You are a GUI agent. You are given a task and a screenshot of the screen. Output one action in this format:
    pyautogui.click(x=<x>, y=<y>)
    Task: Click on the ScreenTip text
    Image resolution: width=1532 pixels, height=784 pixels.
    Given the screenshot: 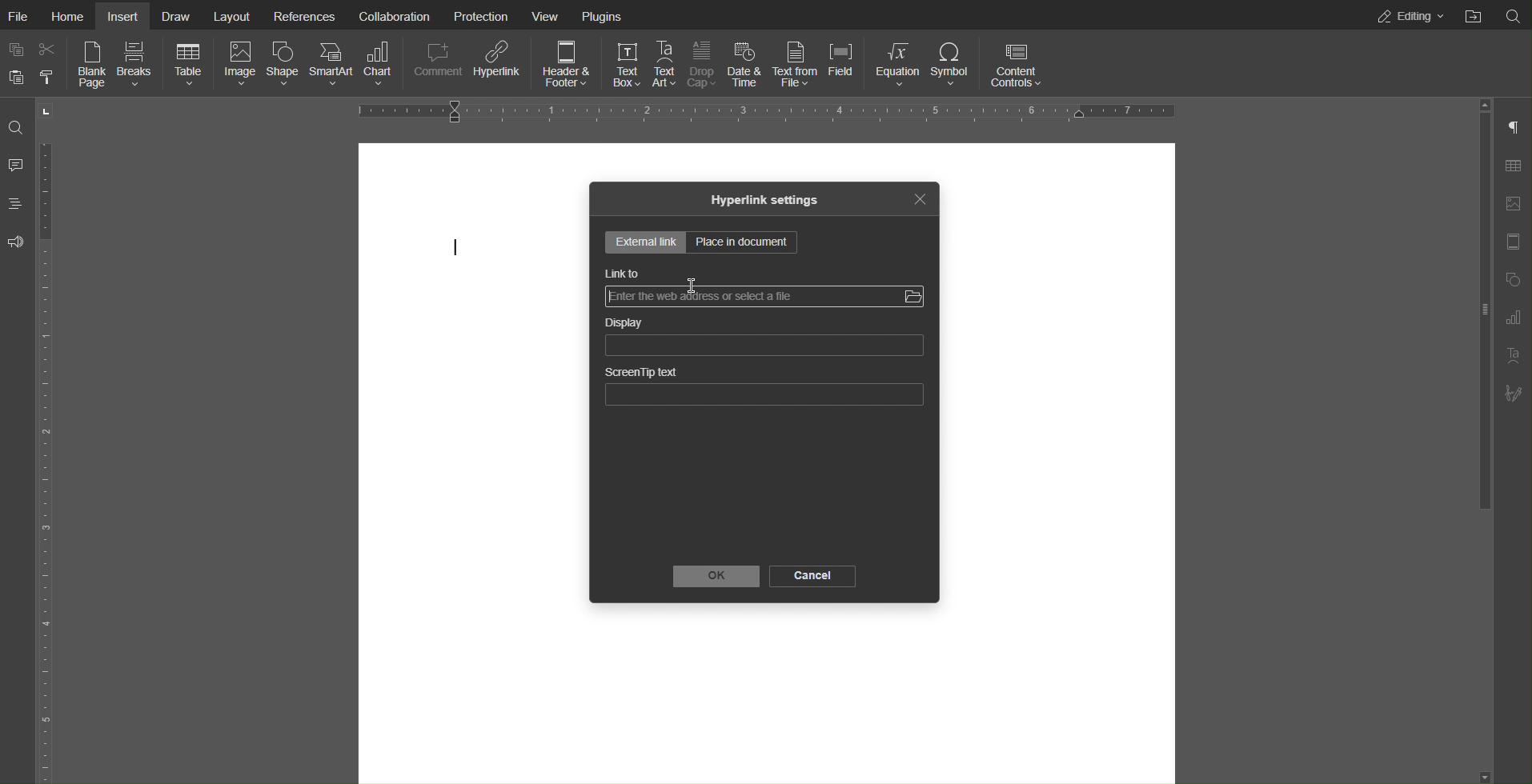 What is the action you would take?
    pyautogui.click(x=641, y=373)
    